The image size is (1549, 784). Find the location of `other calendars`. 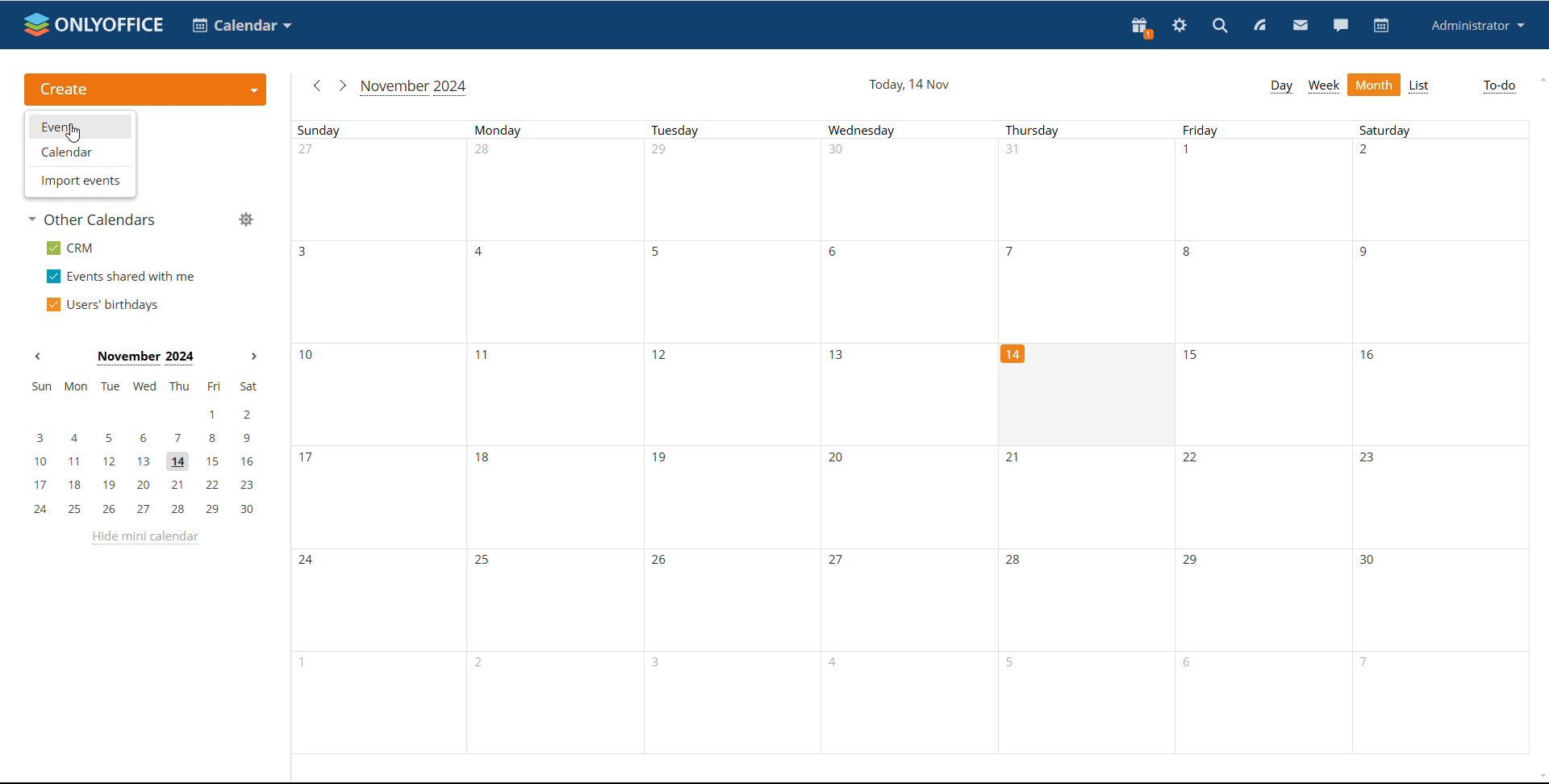

other calendars is located at coordinates (94, 219).